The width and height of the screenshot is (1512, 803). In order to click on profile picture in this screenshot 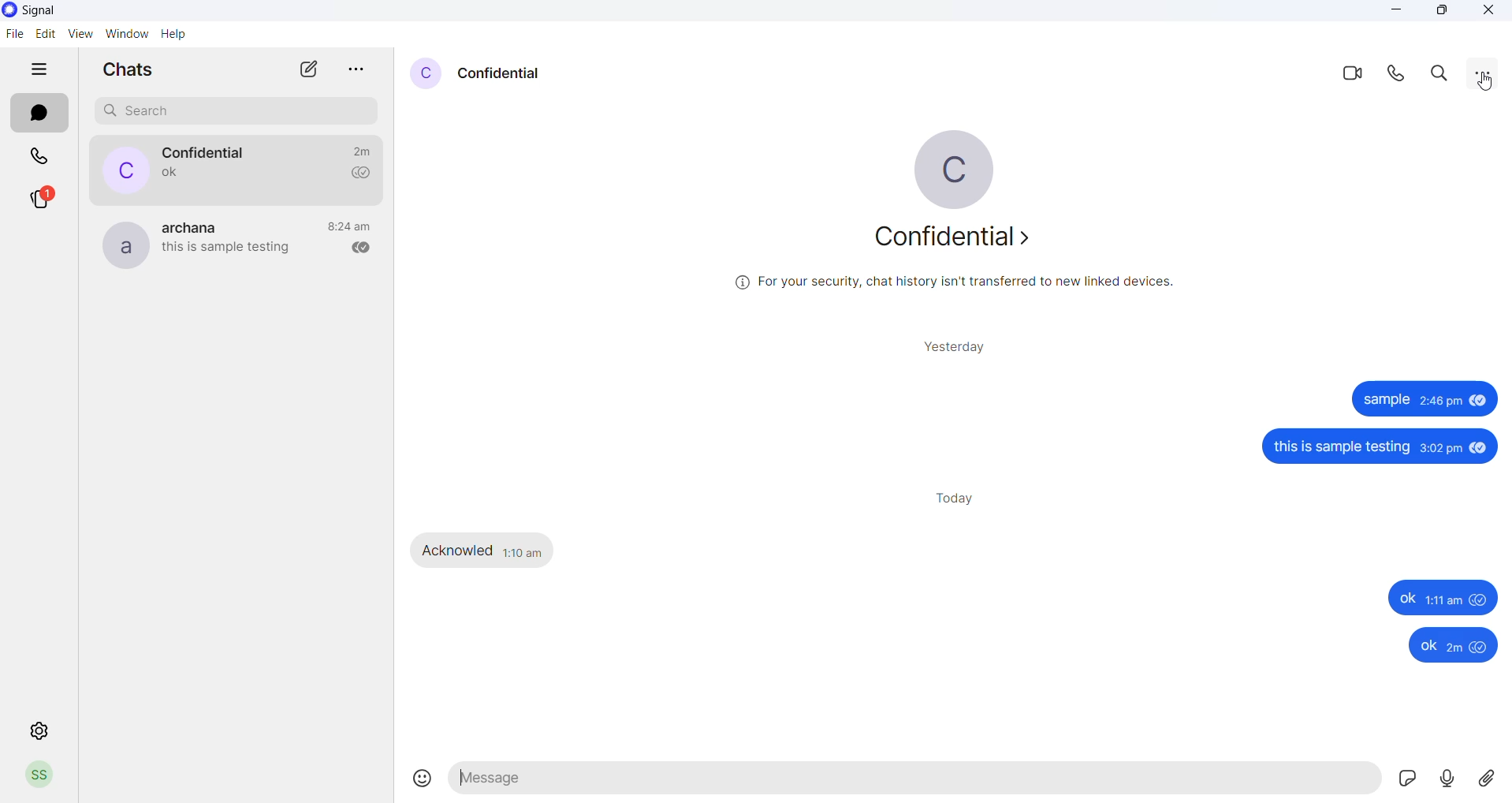, I will do `click(966, 166)`.